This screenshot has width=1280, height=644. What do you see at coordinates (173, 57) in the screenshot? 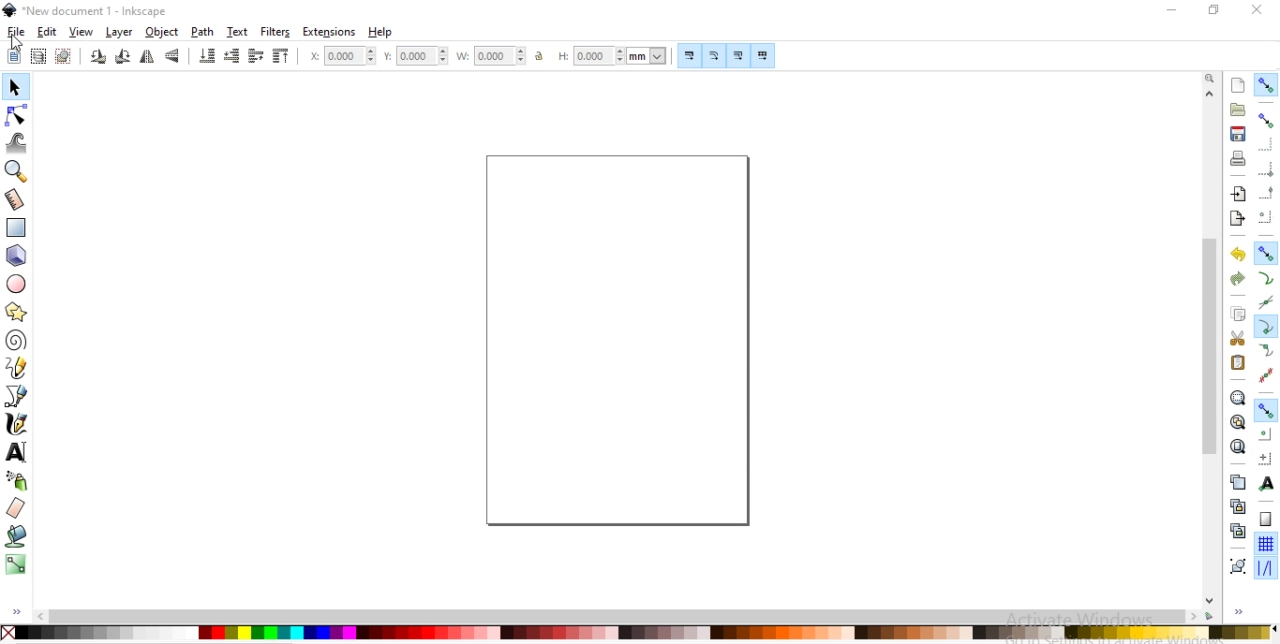
I see `flip vertically` at bounding box center [173, 57].